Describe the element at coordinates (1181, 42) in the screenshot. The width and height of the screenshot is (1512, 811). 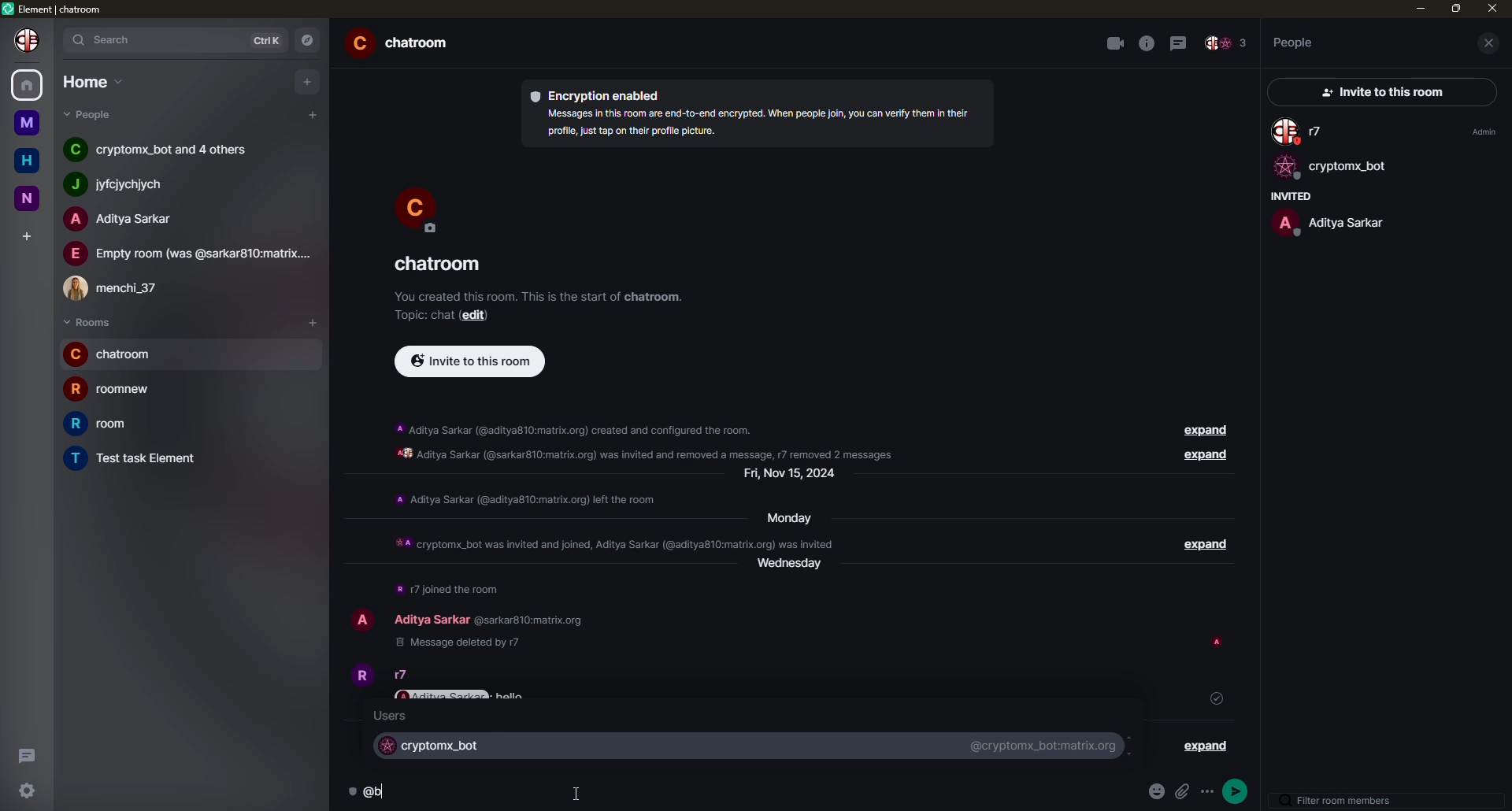
I see `threads` at that location.